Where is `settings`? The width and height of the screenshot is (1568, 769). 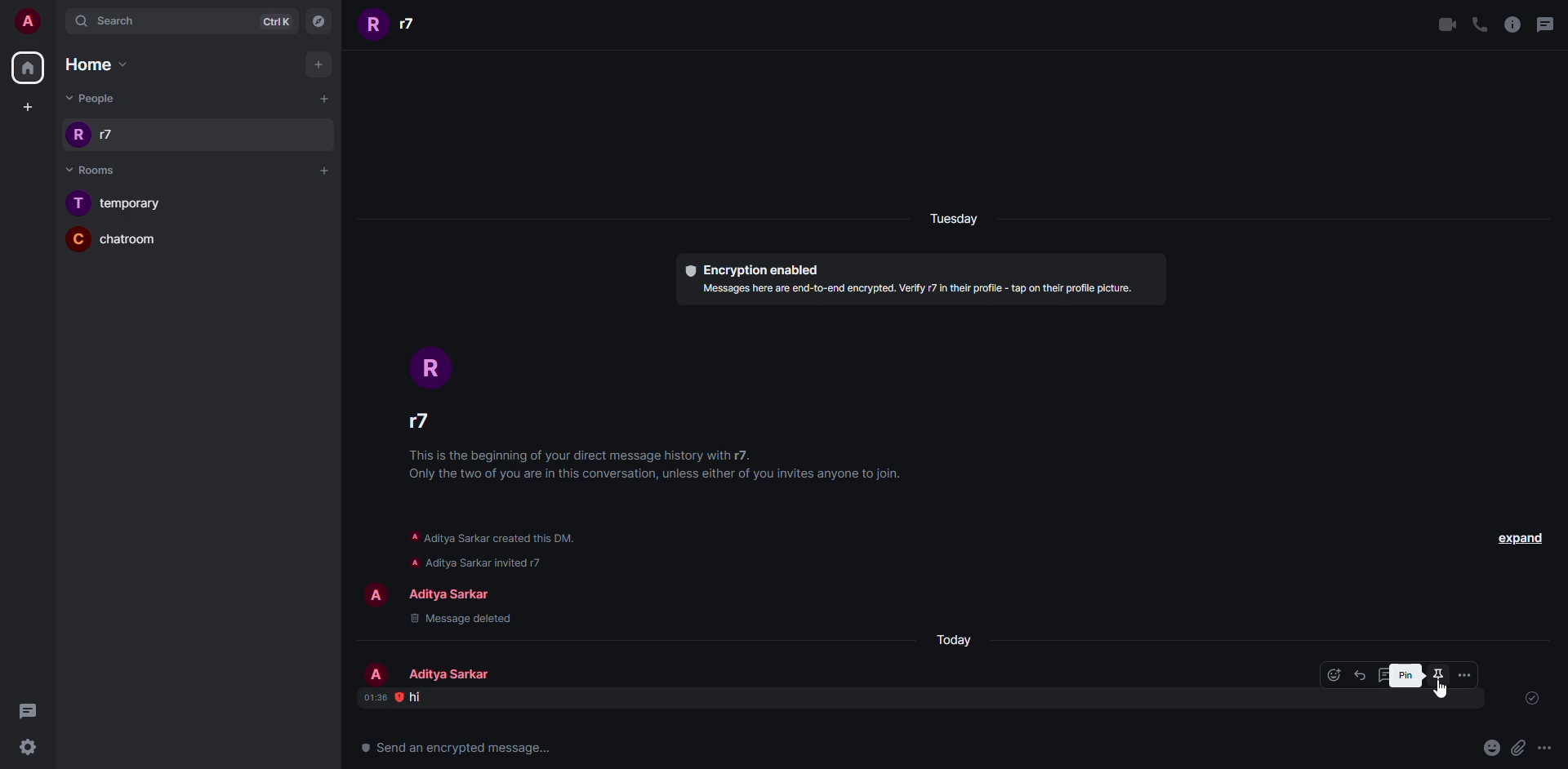
settings is located at coordinates (27, 746).